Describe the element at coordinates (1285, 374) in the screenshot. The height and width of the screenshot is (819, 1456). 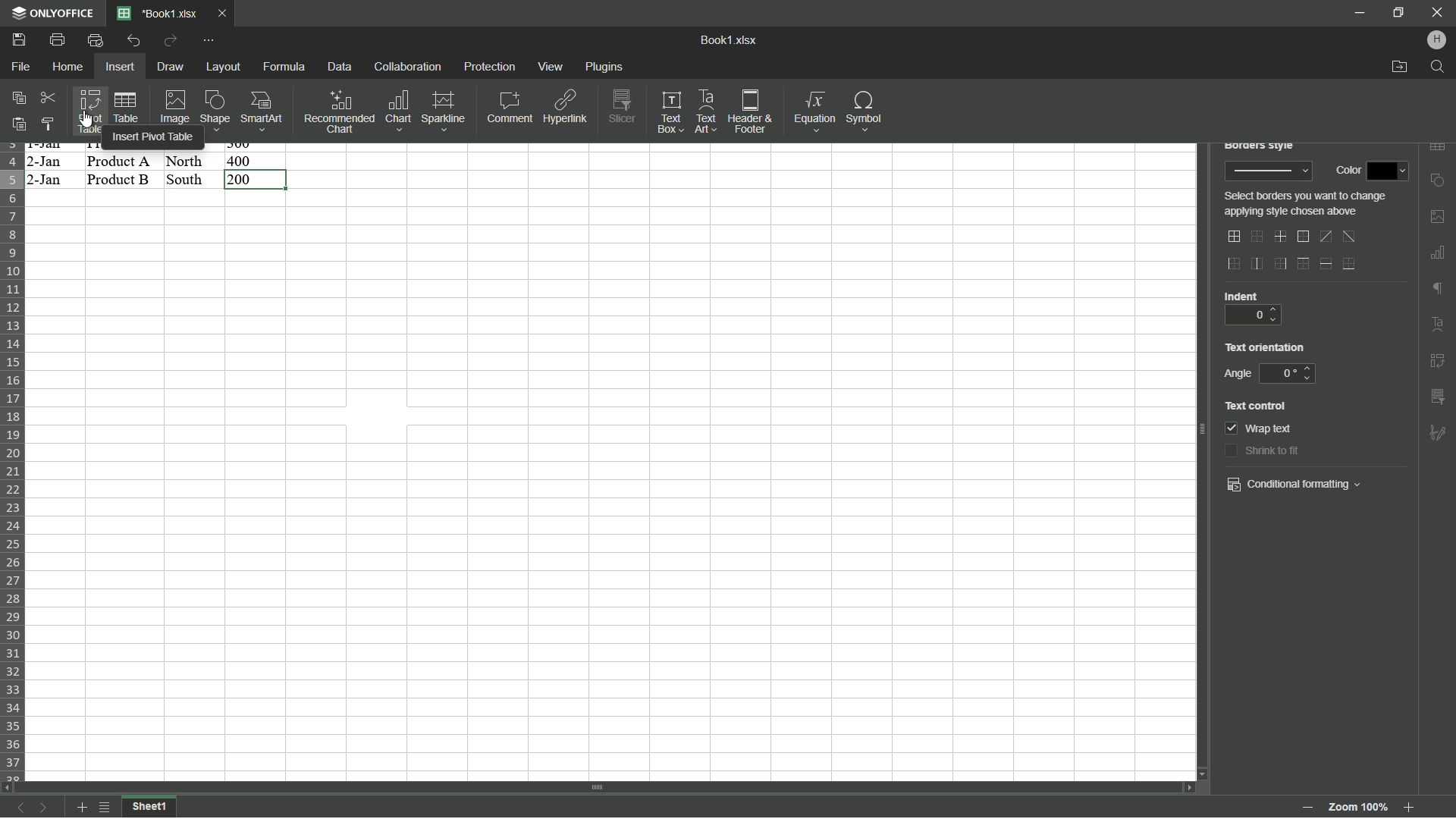
I see `0 degree` at that location.